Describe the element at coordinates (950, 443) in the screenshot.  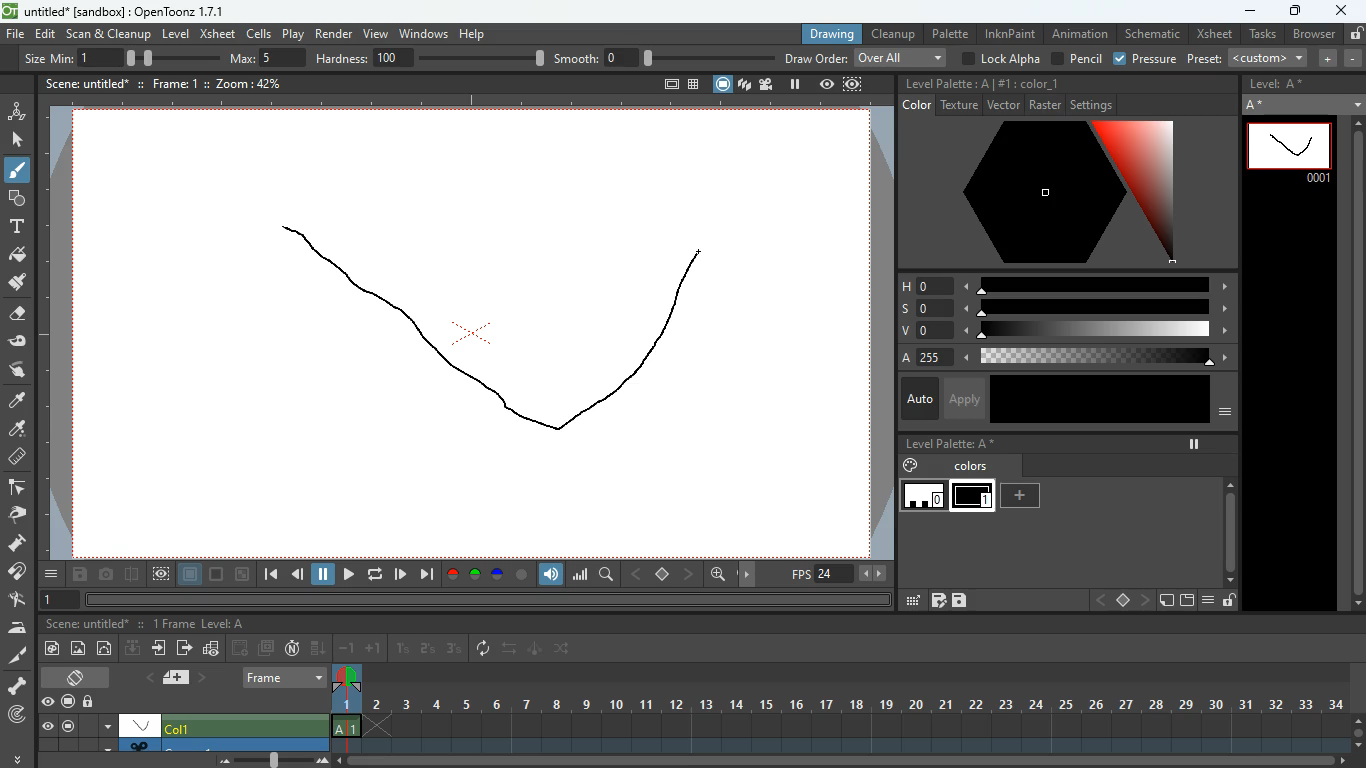
I see `level palette` at that location.